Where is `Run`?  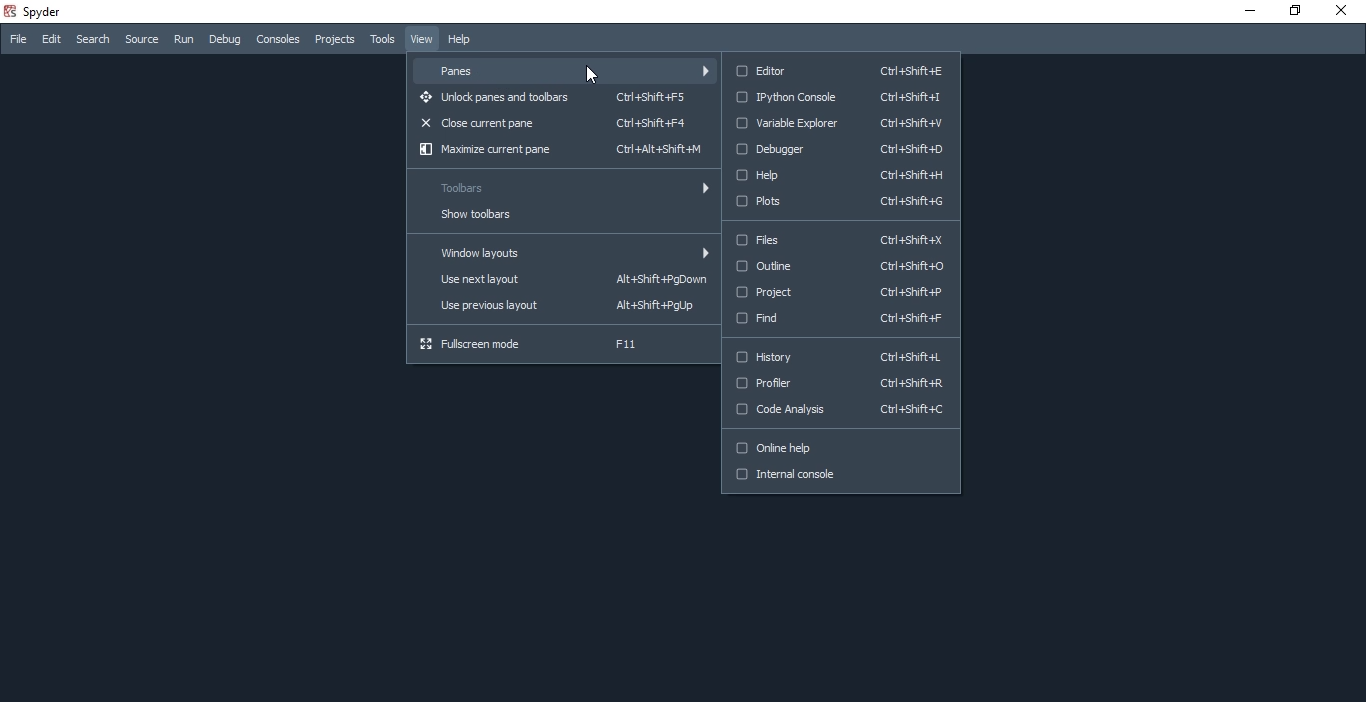 Run is located at coordinates (183, 39).